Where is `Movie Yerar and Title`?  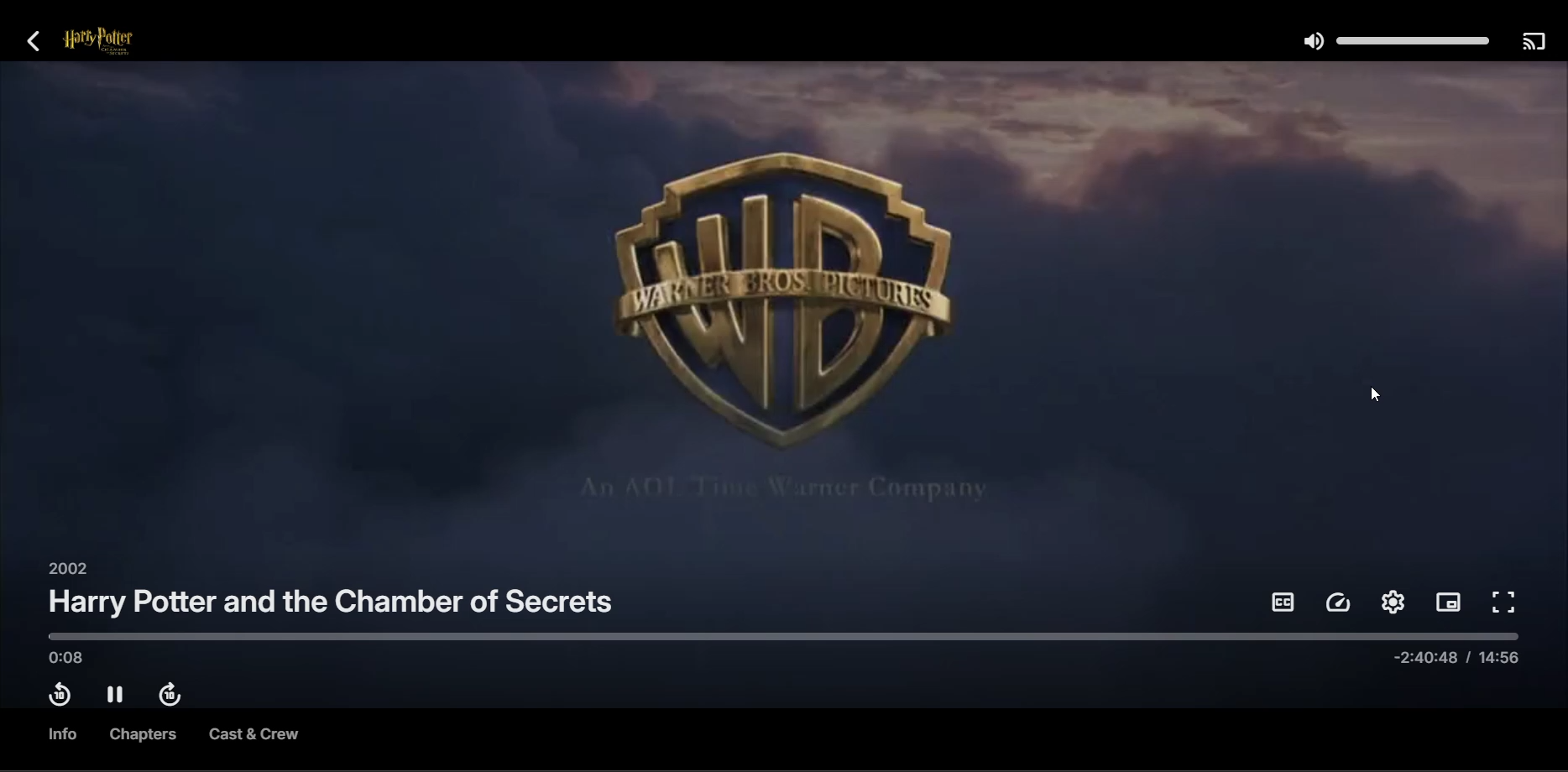
Movie Yerar and Title is located at coordinates (332, 594).